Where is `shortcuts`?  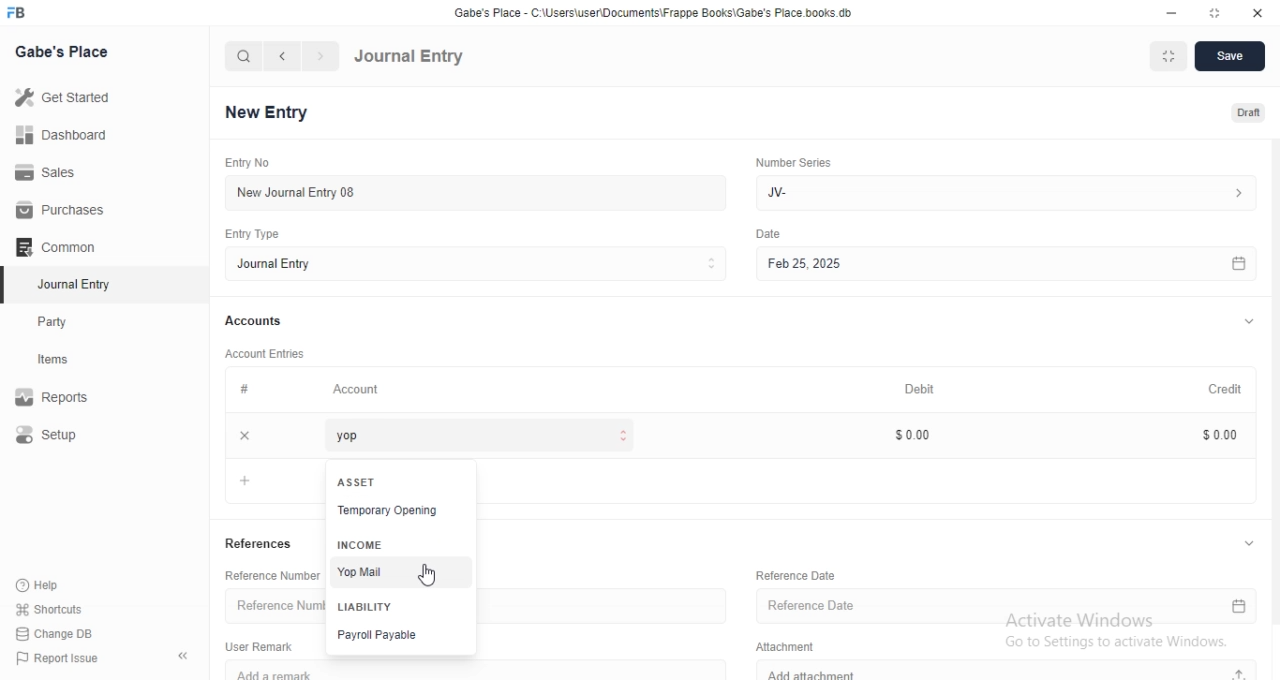 shortcuts is located at coordinates (62, 608).